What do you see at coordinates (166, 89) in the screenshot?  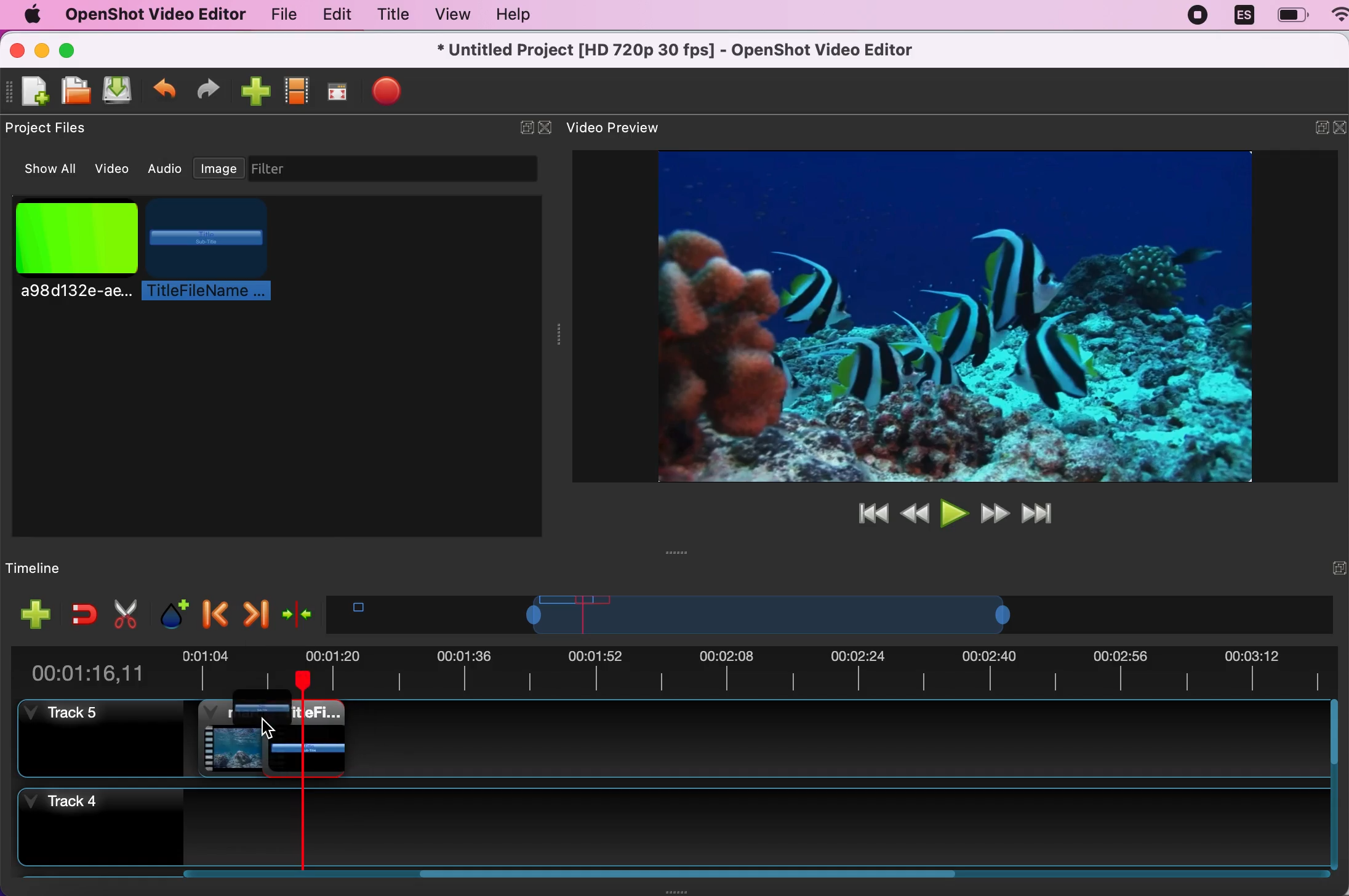 I see `undo` at bounding box center [166, 89].